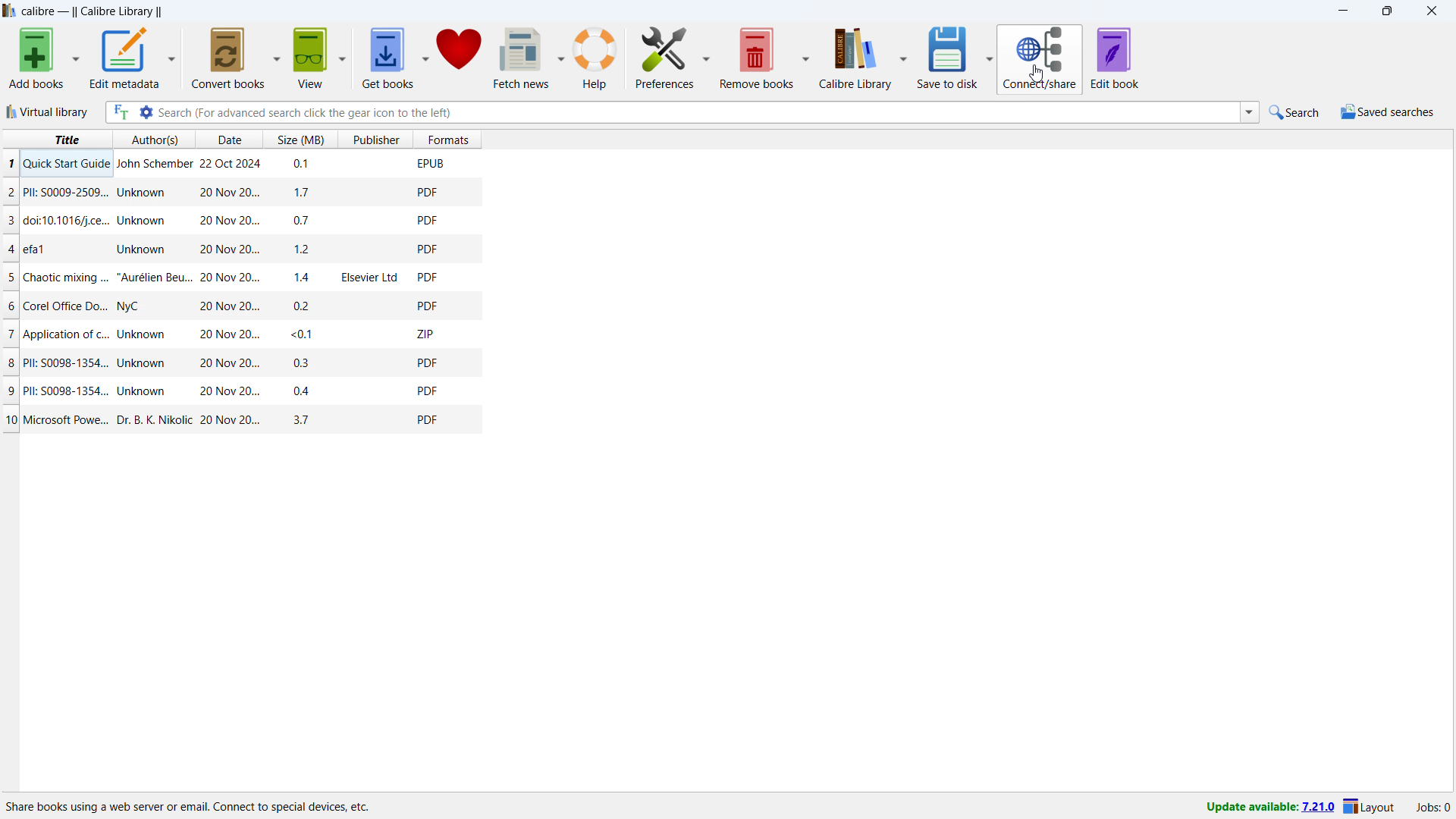  Describe the element at coordinates (707, 56) in the screenshot. I see `preferences options` at that location.